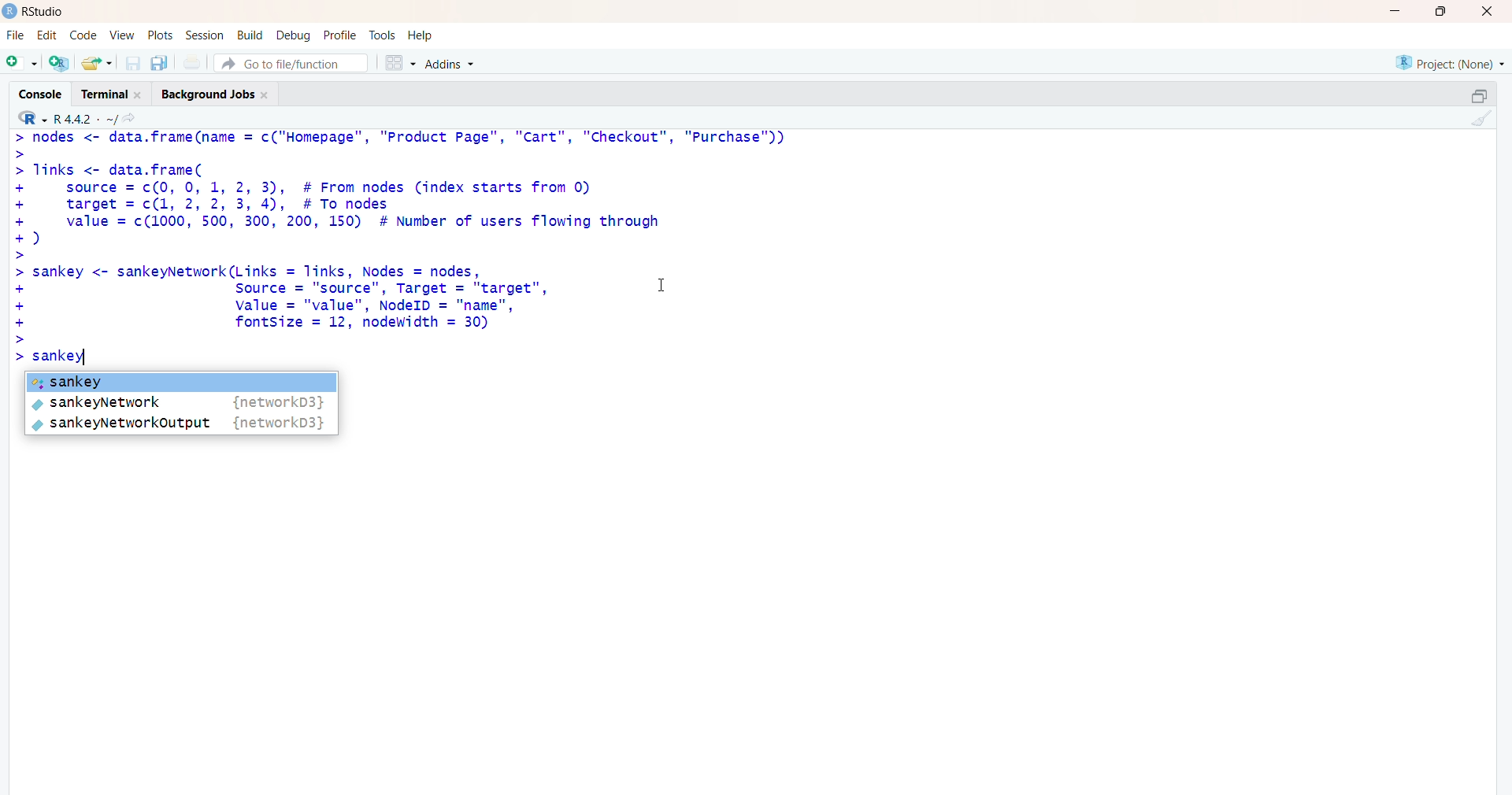 The height and width of the screenshot is (795, 1512). Describe the element at coordinates (247, 35) in the screenshot. I see `build` at that location.